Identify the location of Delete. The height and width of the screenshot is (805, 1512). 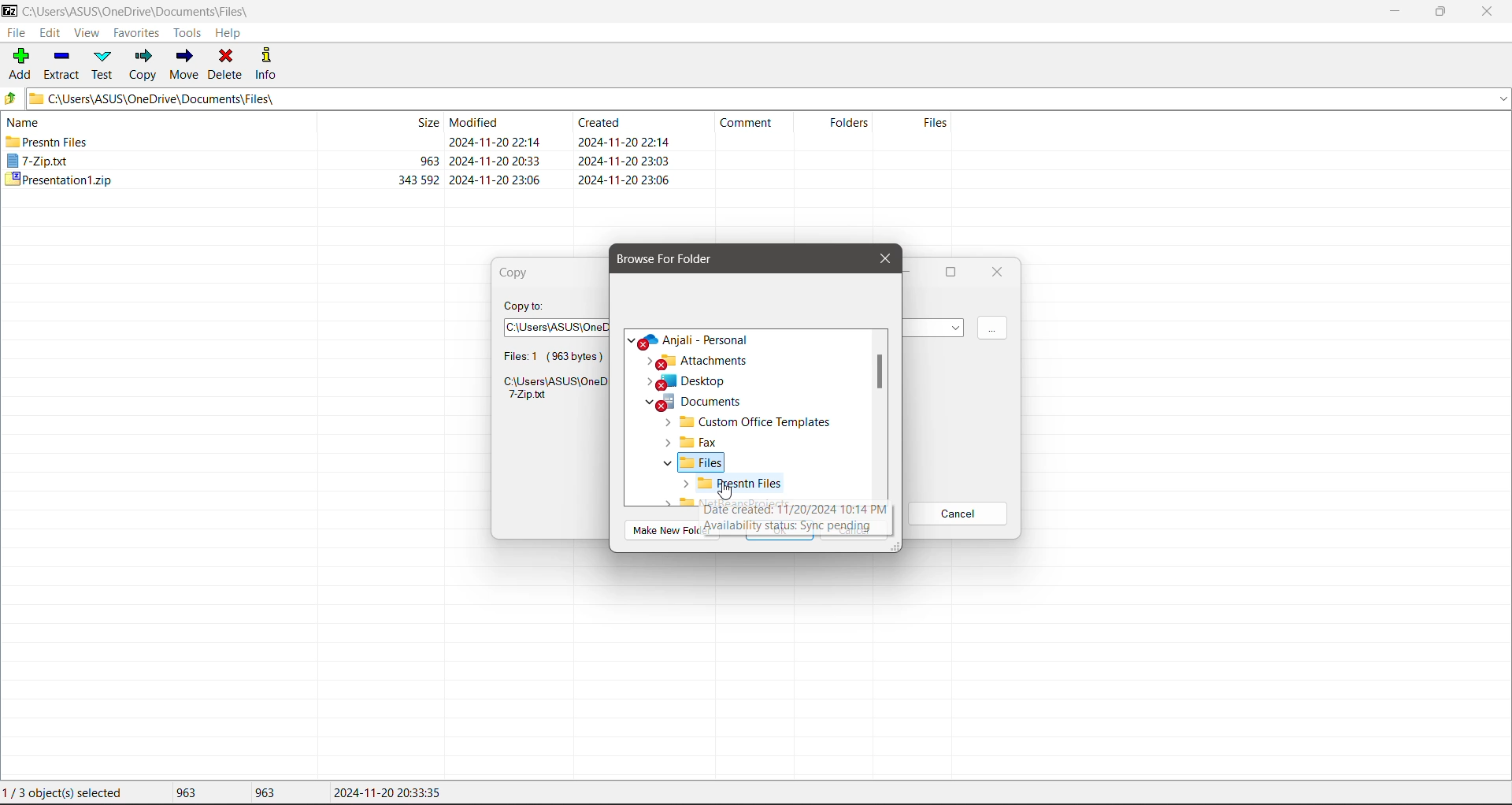
(227, 63).